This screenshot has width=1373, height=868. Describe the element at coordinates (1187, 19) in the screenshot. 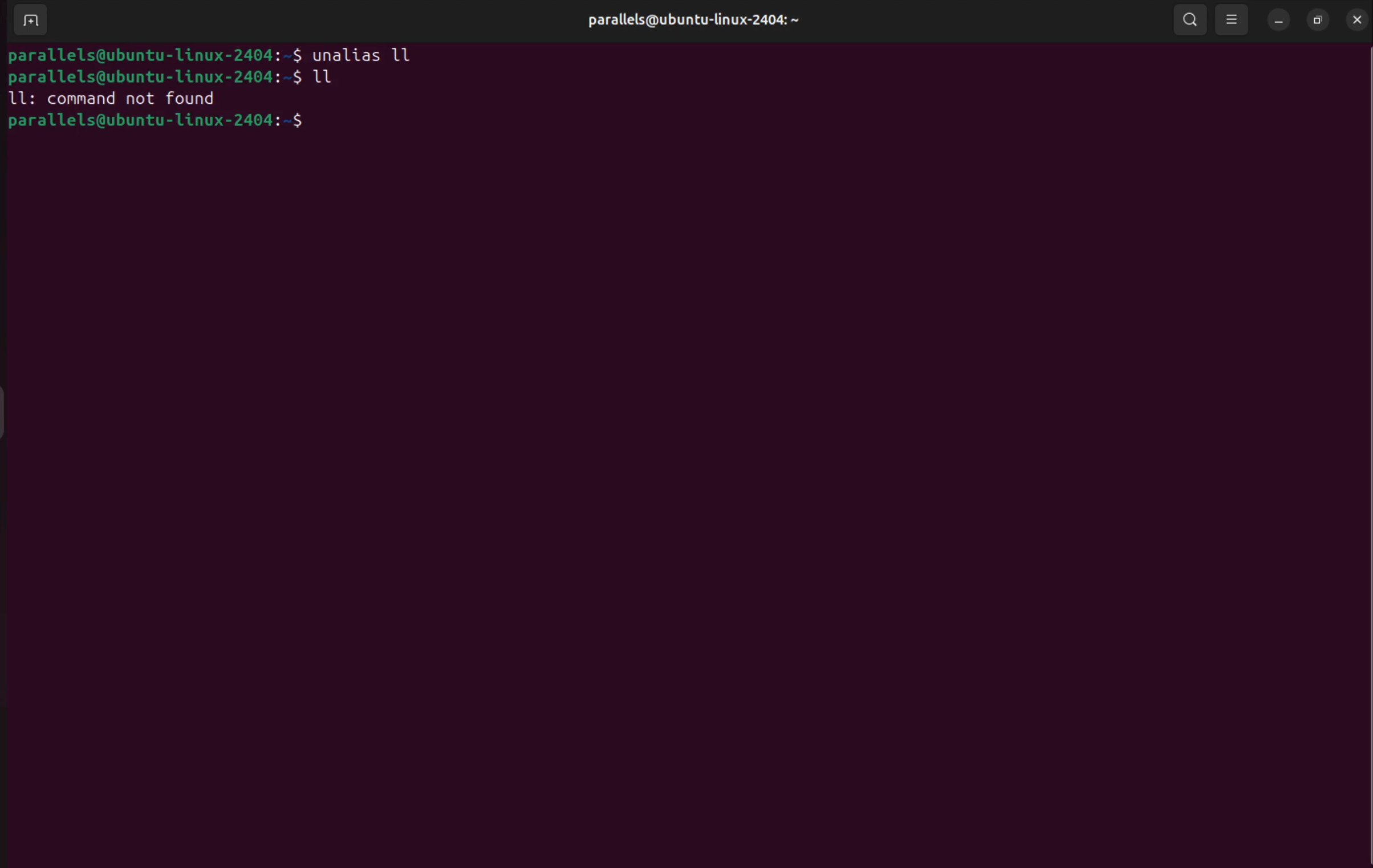

I see `search` at that location.